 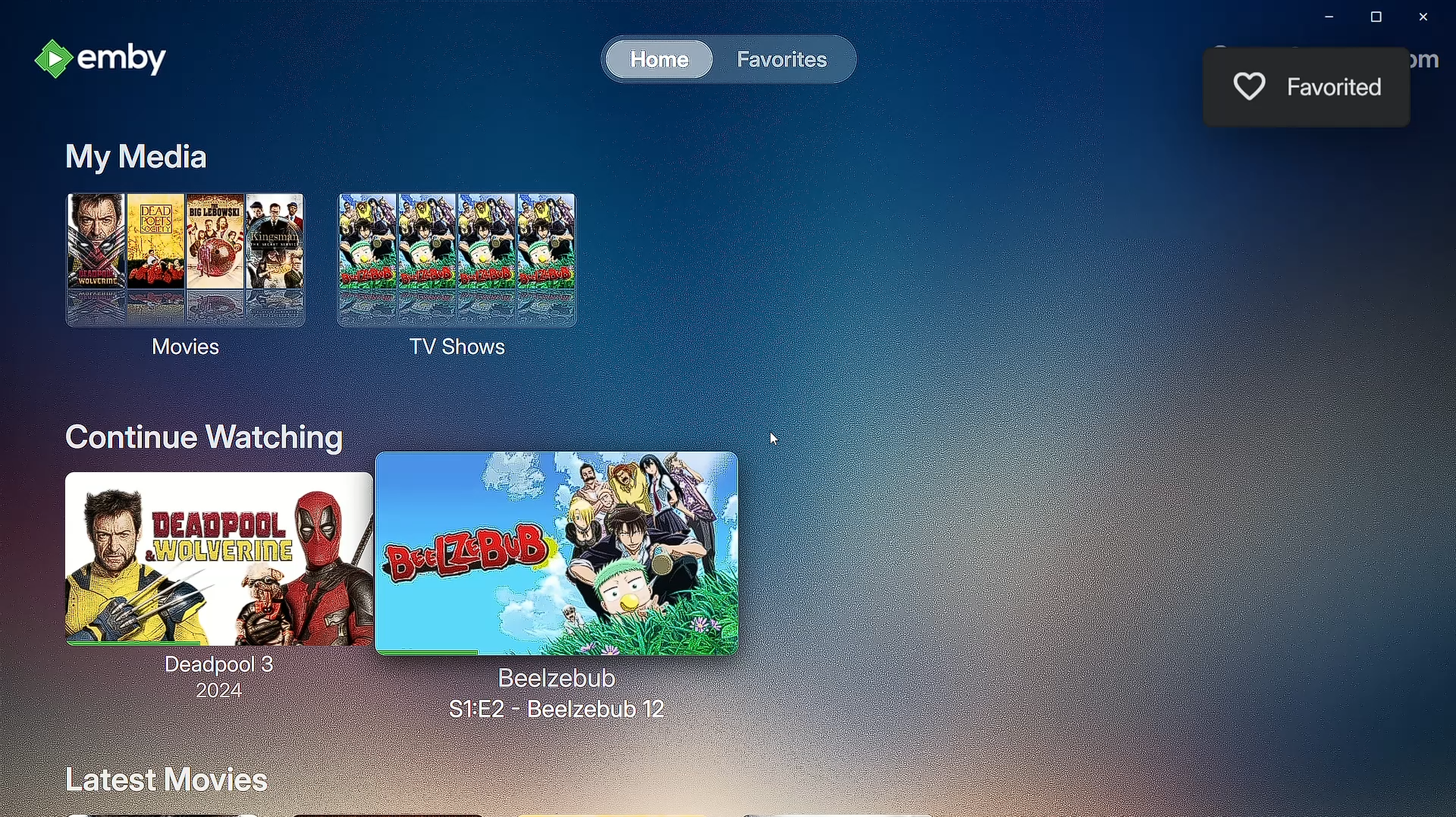 What do you see at coordinates (1426, 17) in the screenshot?
I see `Close` at bounding box center [1426, 17].